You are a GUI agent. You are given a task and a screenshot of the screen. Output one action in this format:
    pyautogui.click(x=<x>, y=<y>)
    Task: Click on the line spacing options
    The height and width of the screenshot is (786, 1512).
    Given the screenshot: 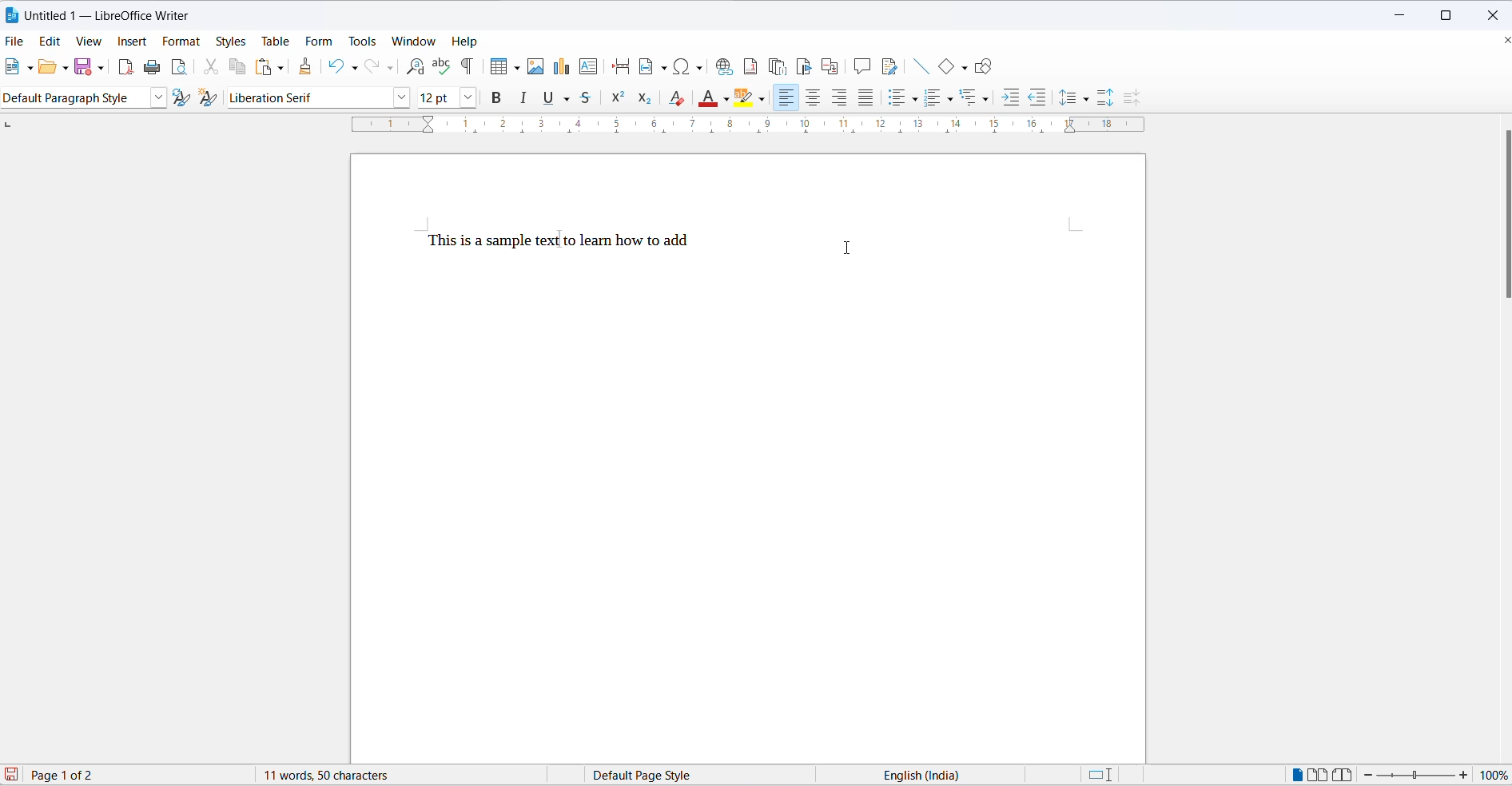 What is the action you would take?
    pyautogui.click(x=1091, y=100)
    